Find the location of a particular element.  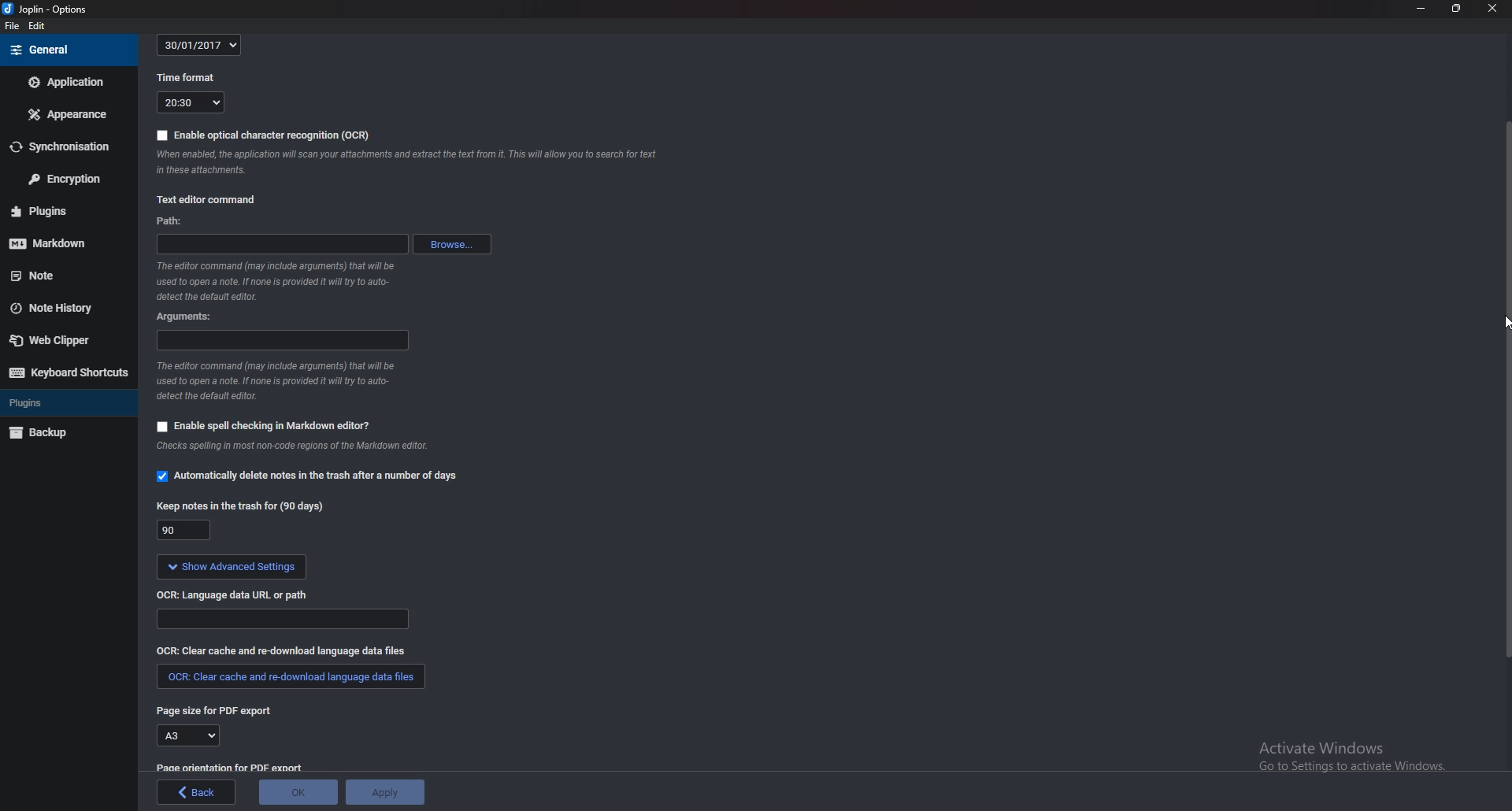

Keep notes in the trash for is located at coordinates (239, 503).